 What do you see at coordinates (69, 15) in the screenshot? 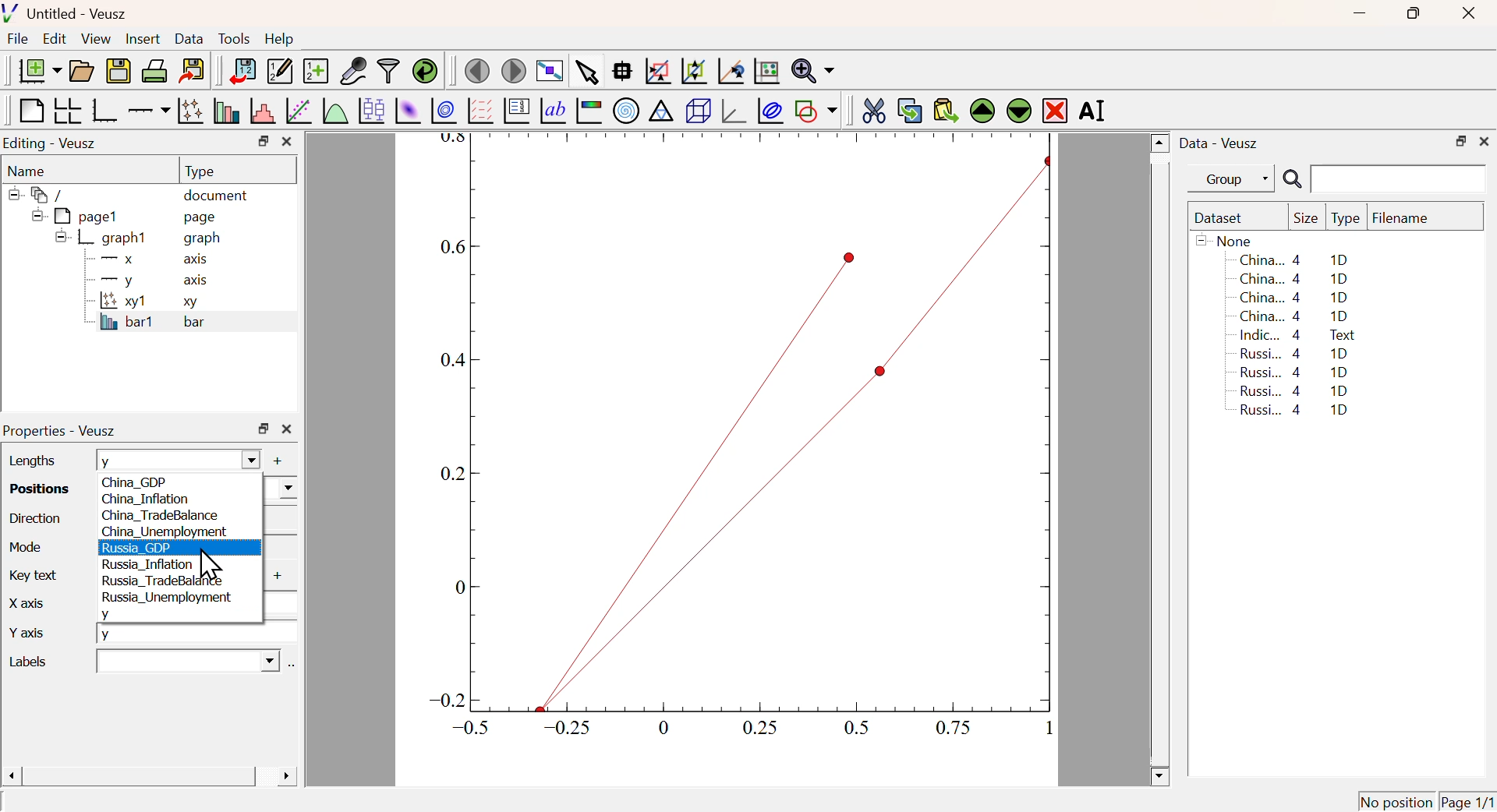
I see `Untitled - Veusz` at bounding box center [69, 15].